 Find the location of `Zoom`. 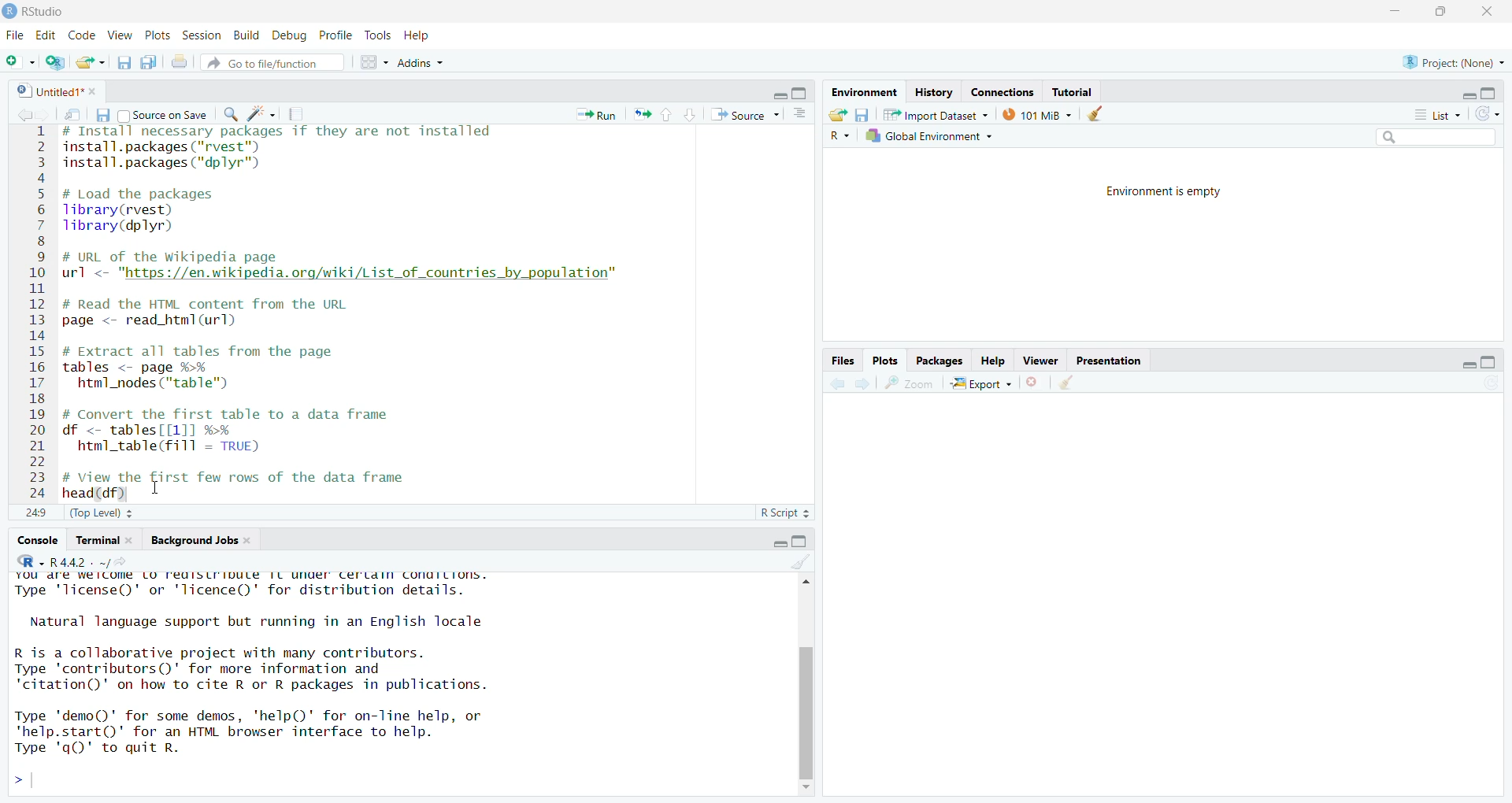

Zoom is located at coordinates (910, 383).